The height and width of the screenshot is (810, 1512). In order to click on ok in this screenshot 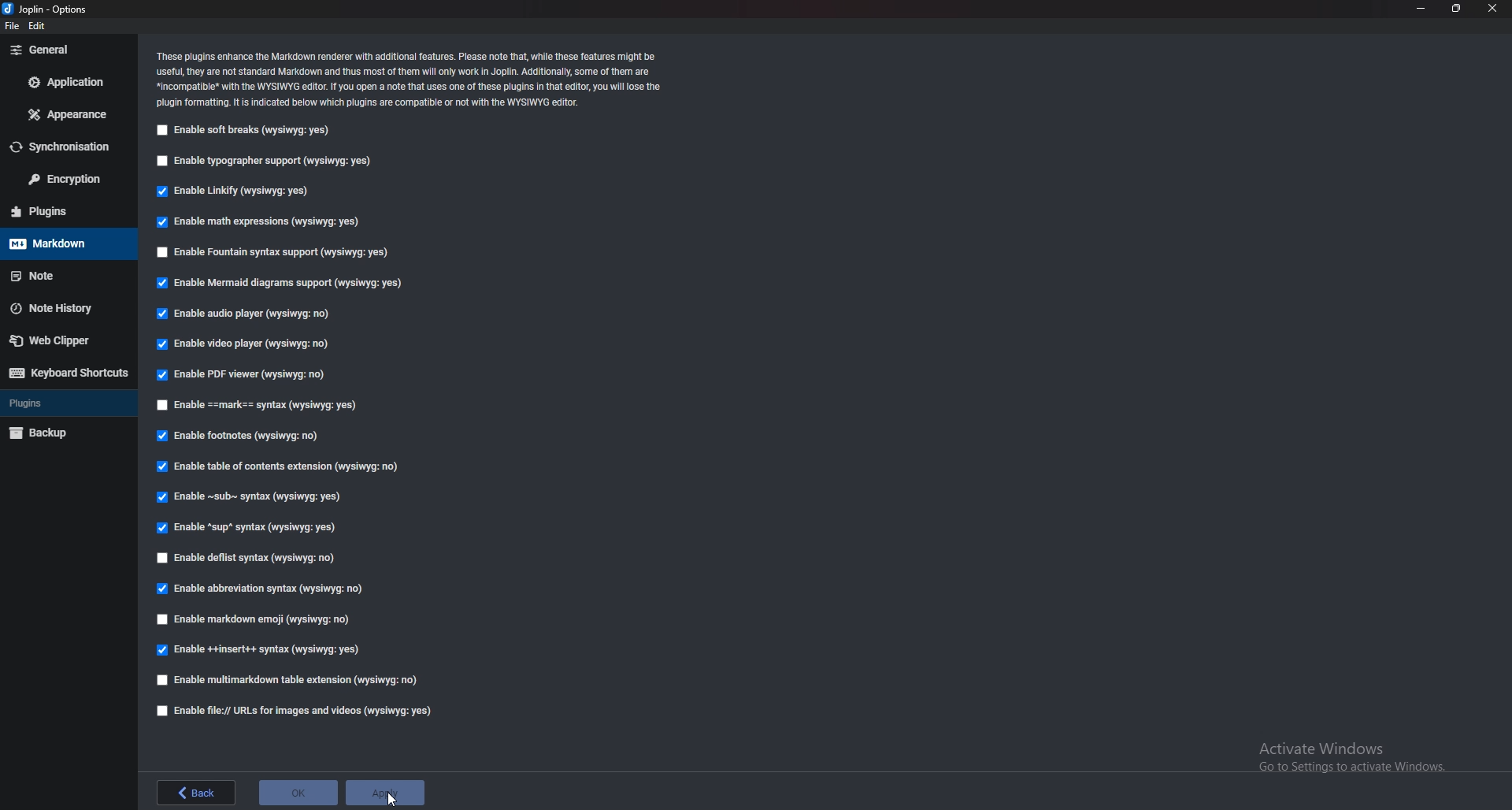, I will do `click(298, 793)`.